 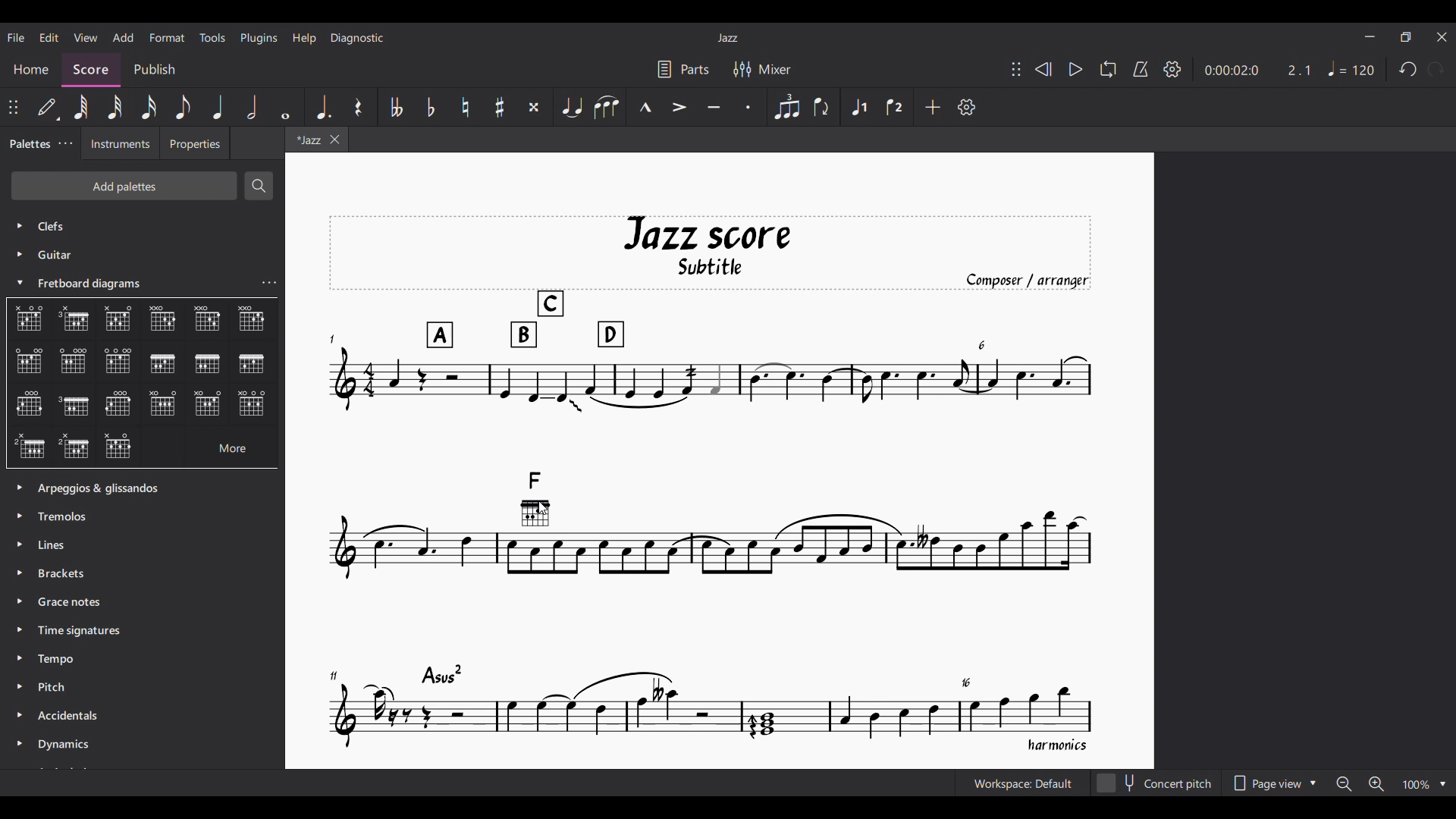 I want to click on Voice 1, so click(x=859, y=106).